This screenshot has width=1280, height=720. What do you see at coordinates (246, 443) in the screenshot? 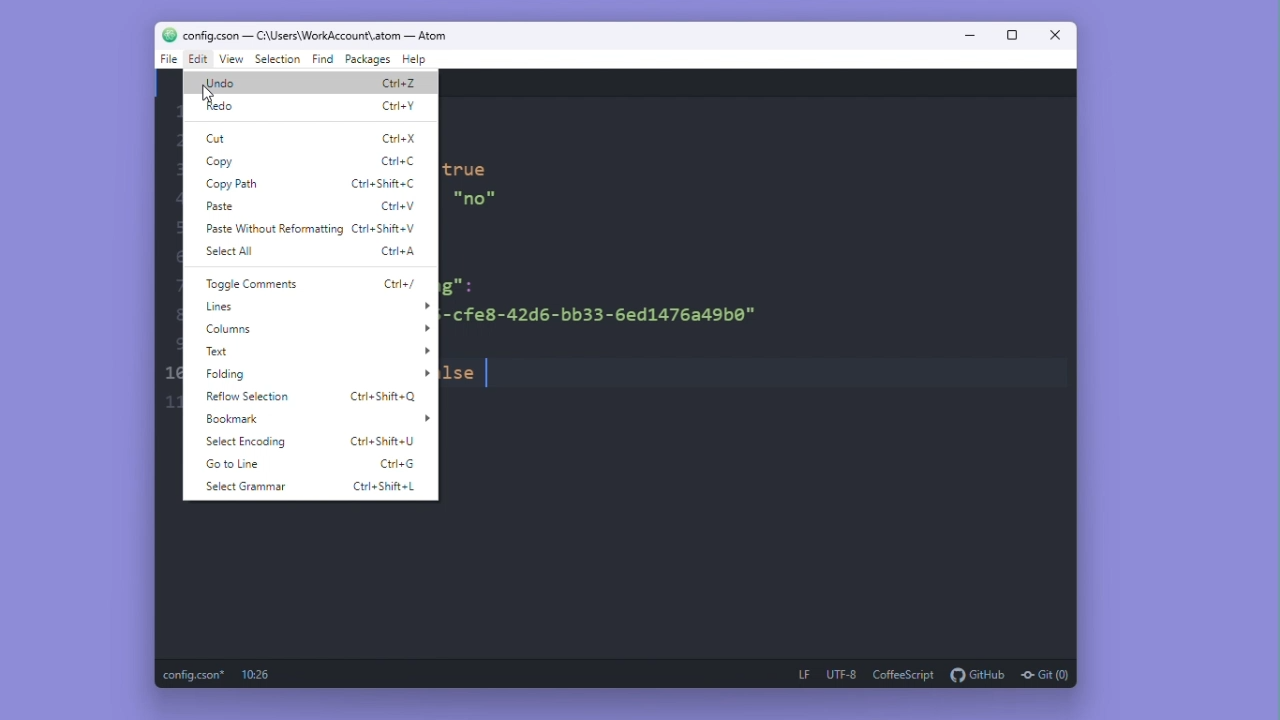
I see `Select encoding` at bounding box center [246, 443].